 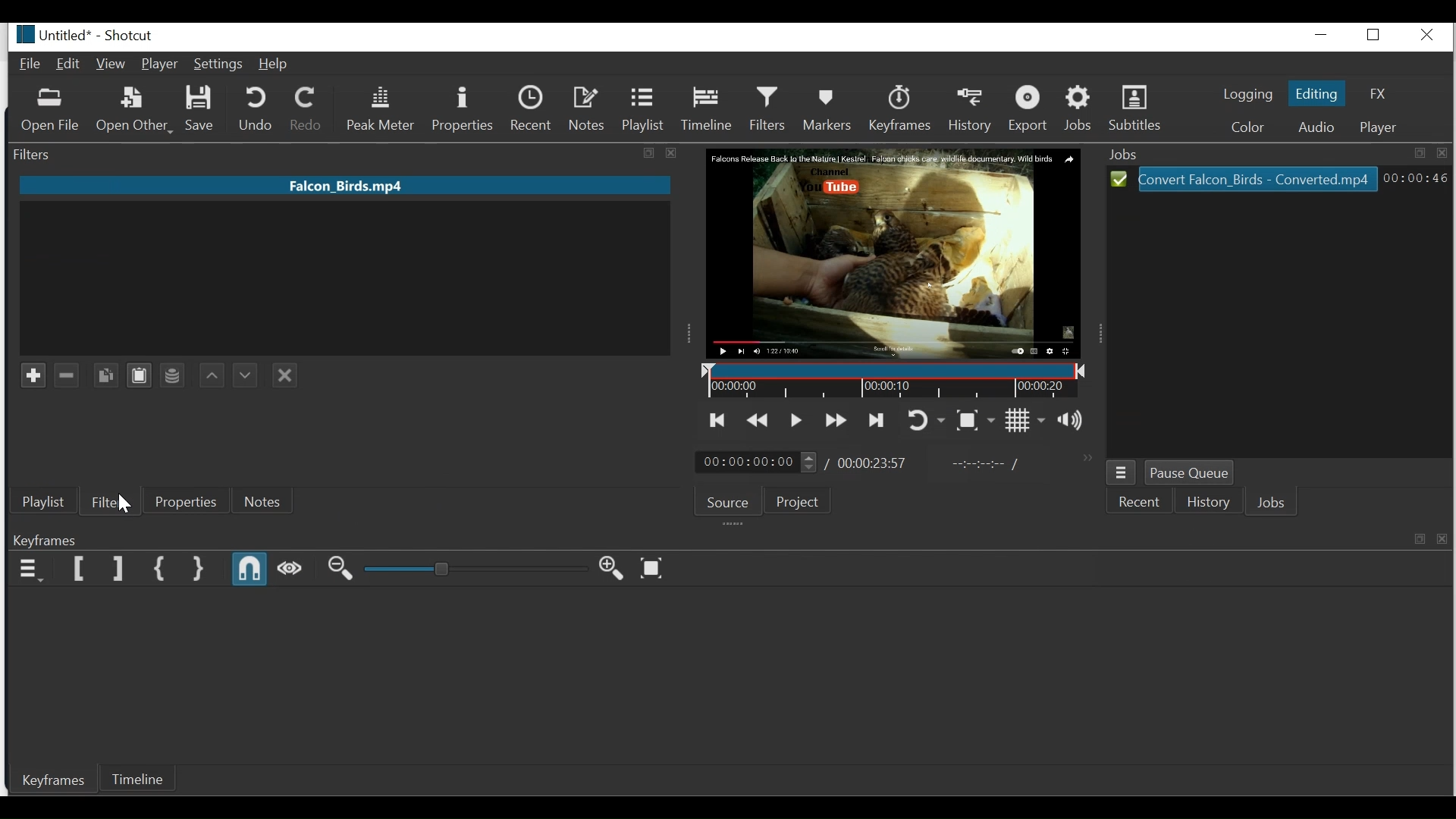 What do you see at coordinates (829, 107) in the screenshot?
I see `Markers` at bounding box center [829, 107].